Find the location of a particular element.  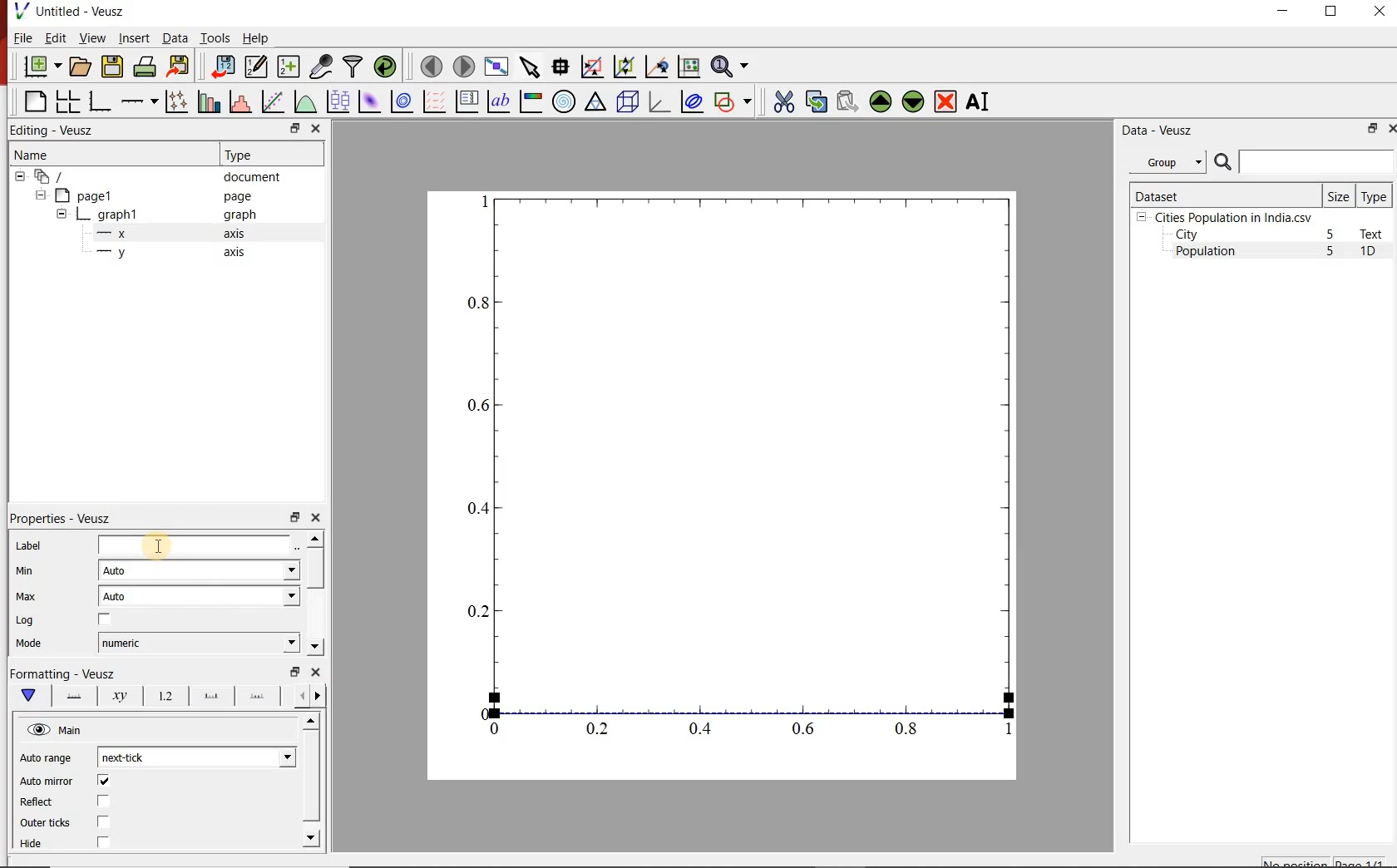

restore is located at coordinates (294, 516).